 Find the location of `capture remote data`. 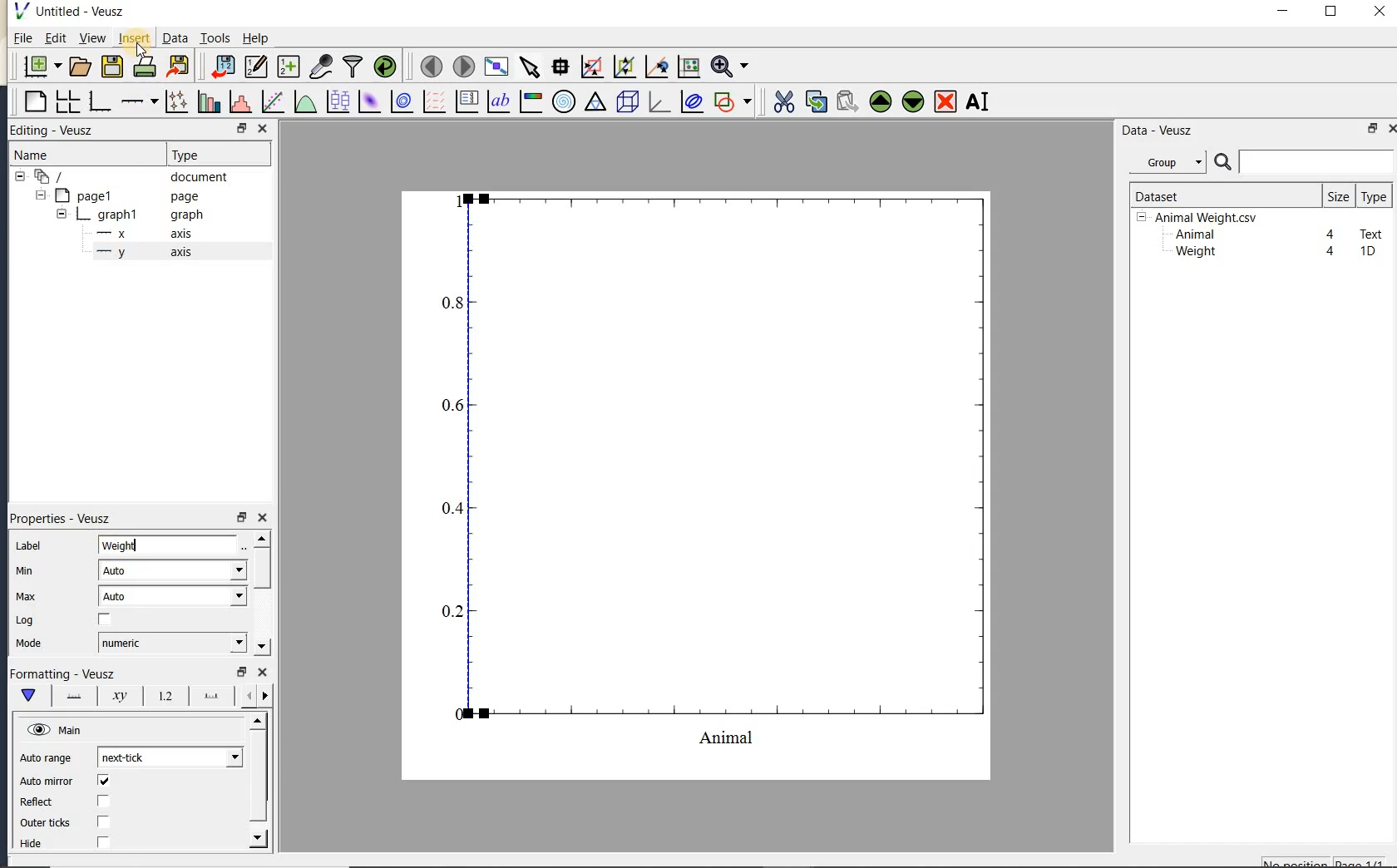

capture remote data is located at coordinates (321, 66).